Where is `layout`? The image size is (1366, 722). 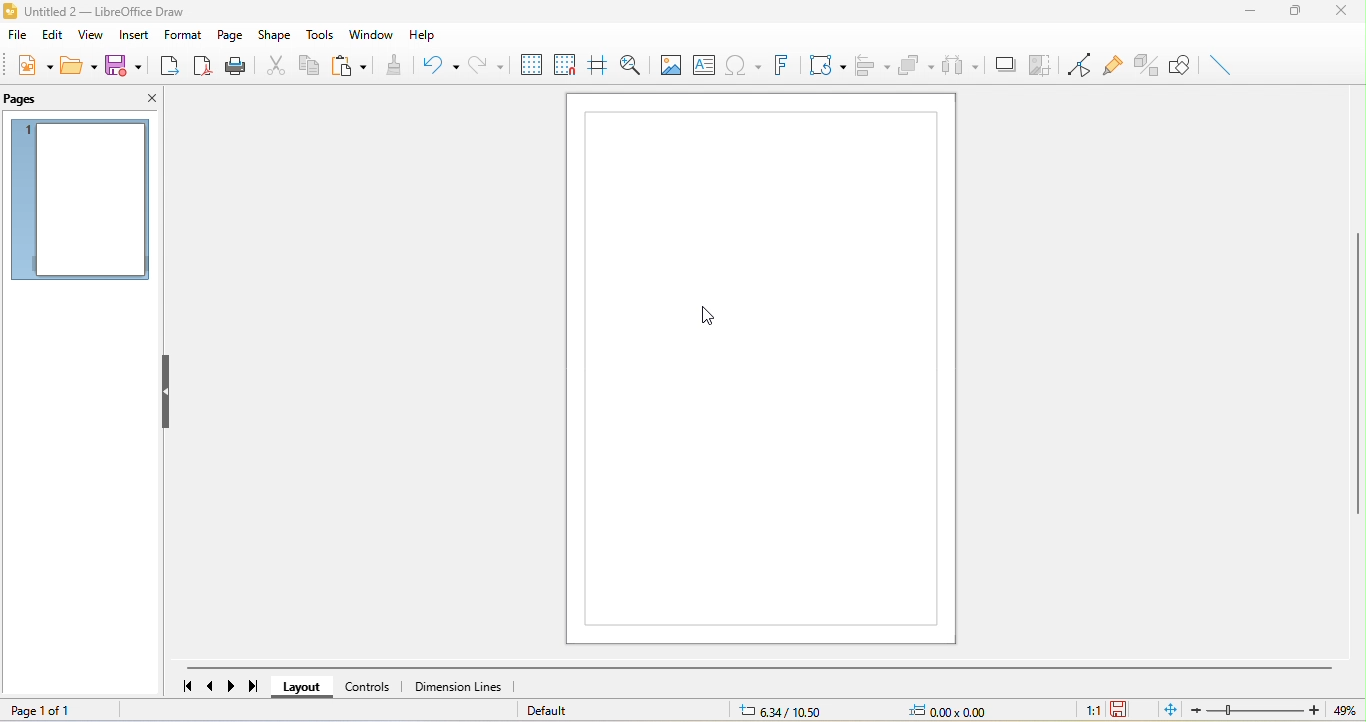
layout is located at coordinates (304, 687).